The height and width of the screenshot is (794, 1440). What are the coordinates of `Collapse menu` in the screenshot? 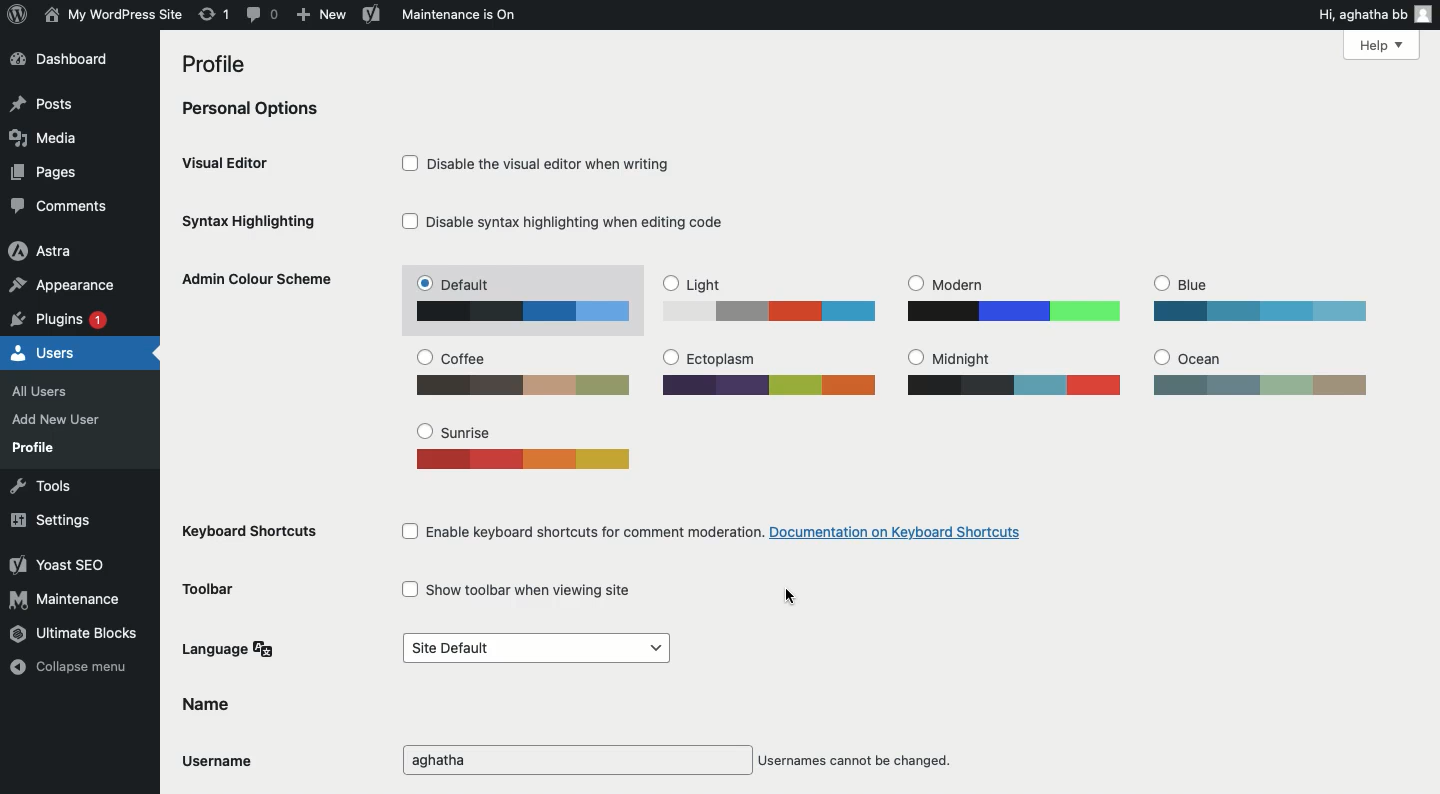 It's located at (68, 667).